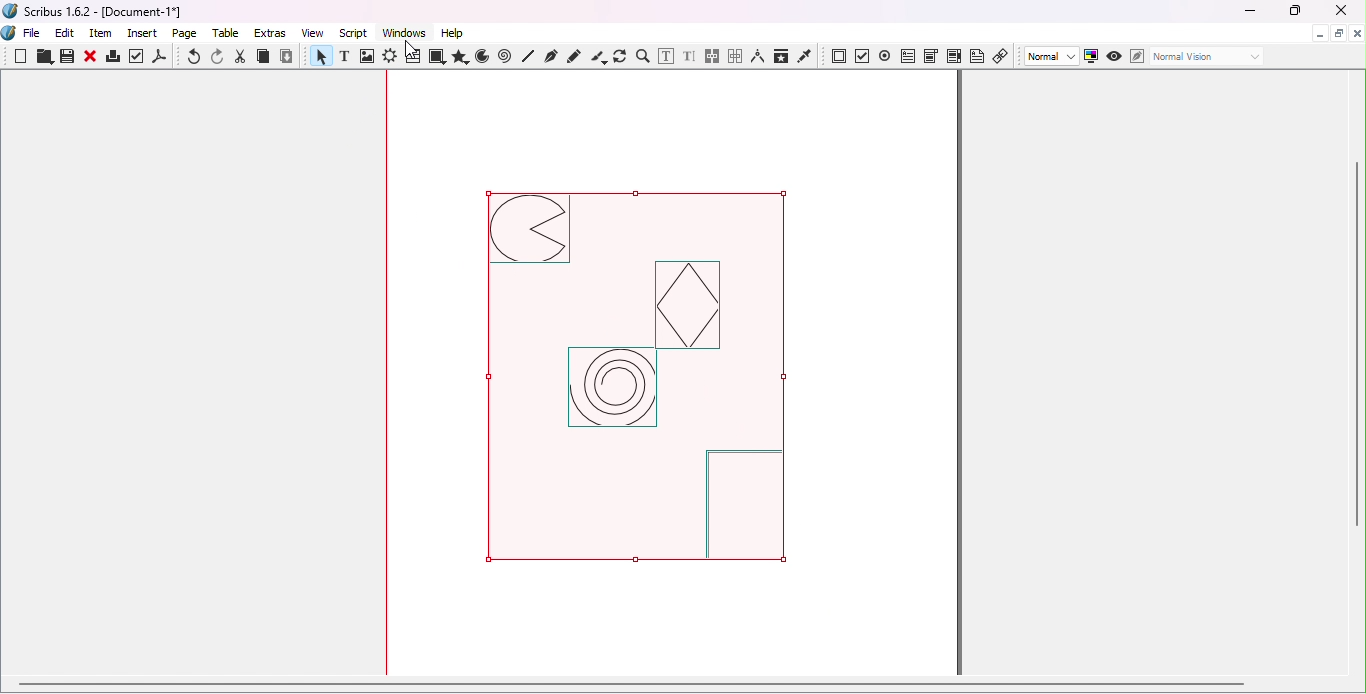 The height and width of the screenshot is (694, 1366). I want to click on Edit, so click(65, 33).